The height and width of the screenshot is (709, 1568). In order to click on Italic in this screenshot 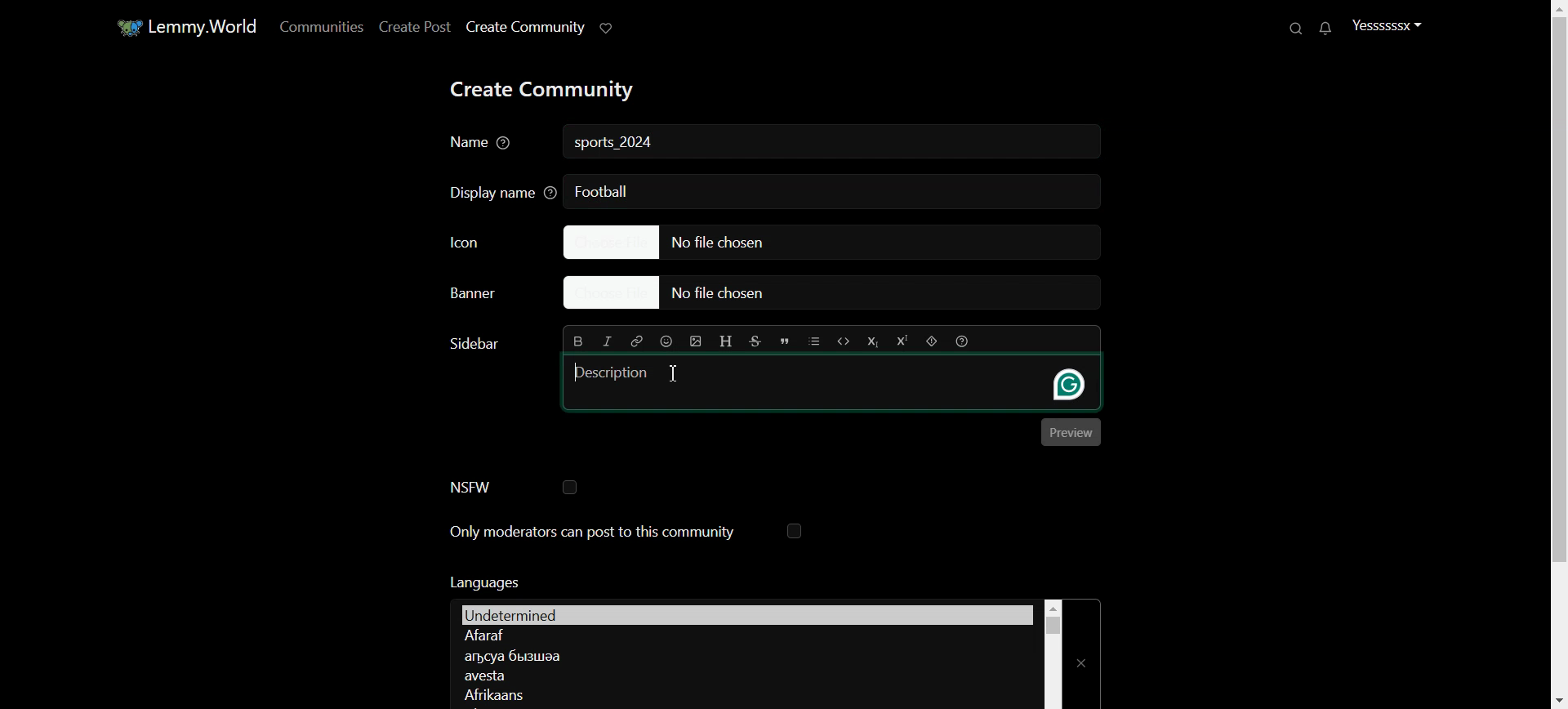, I will do `click(608, 341)`.